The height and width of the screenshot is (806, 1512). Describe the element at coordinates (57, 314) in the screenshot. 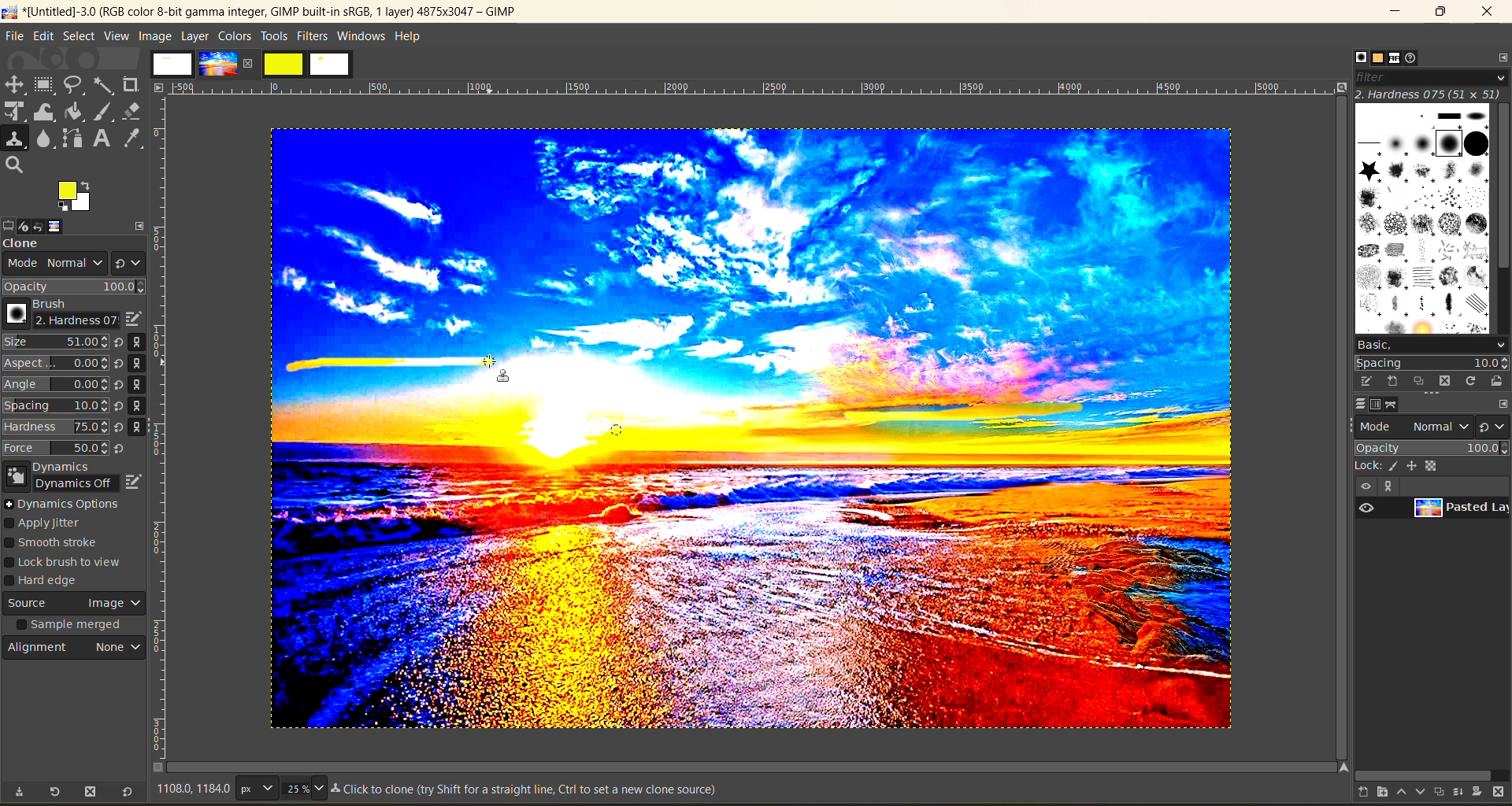

I see `brush` at that location.